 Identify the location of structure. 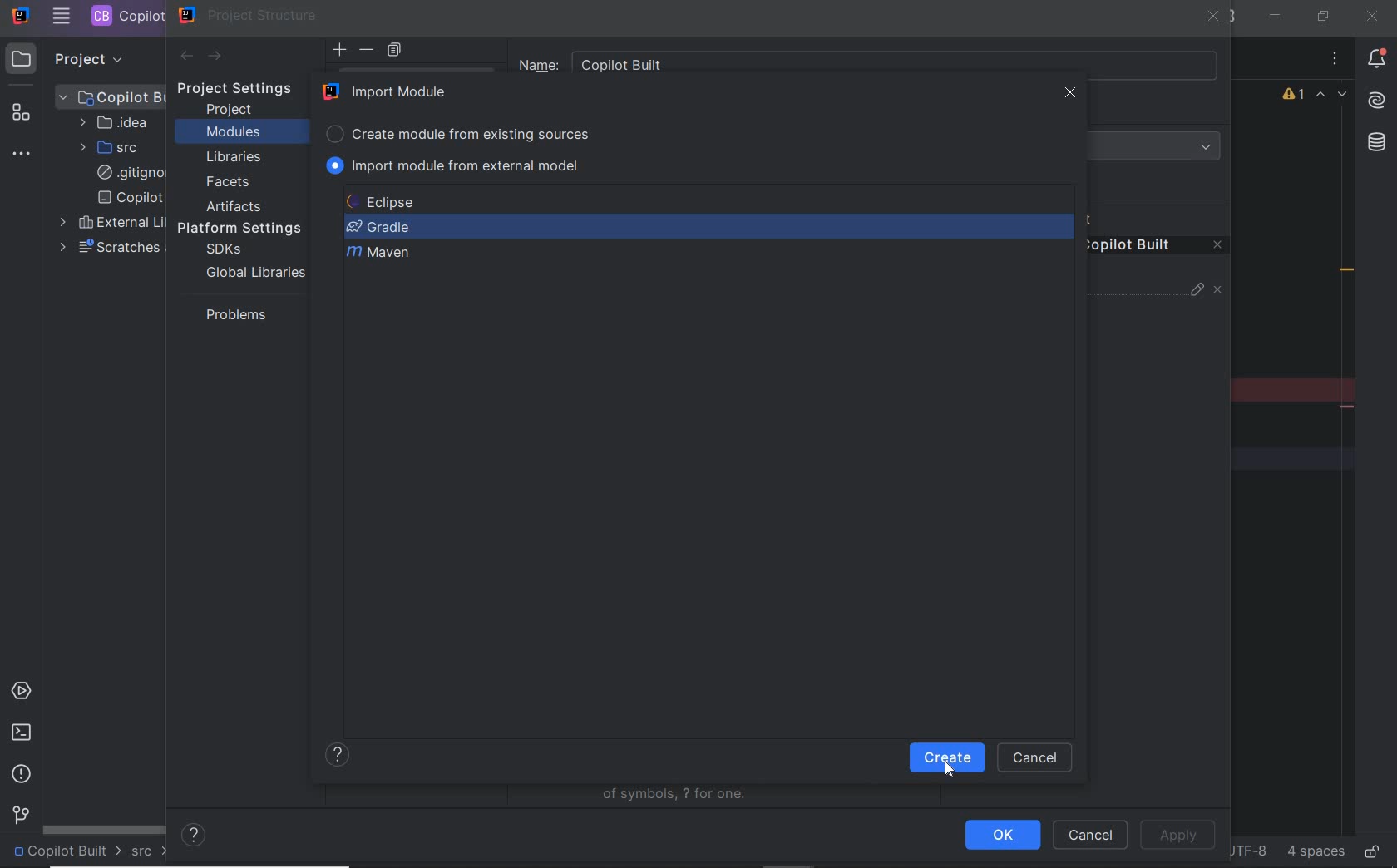
(23, 116).